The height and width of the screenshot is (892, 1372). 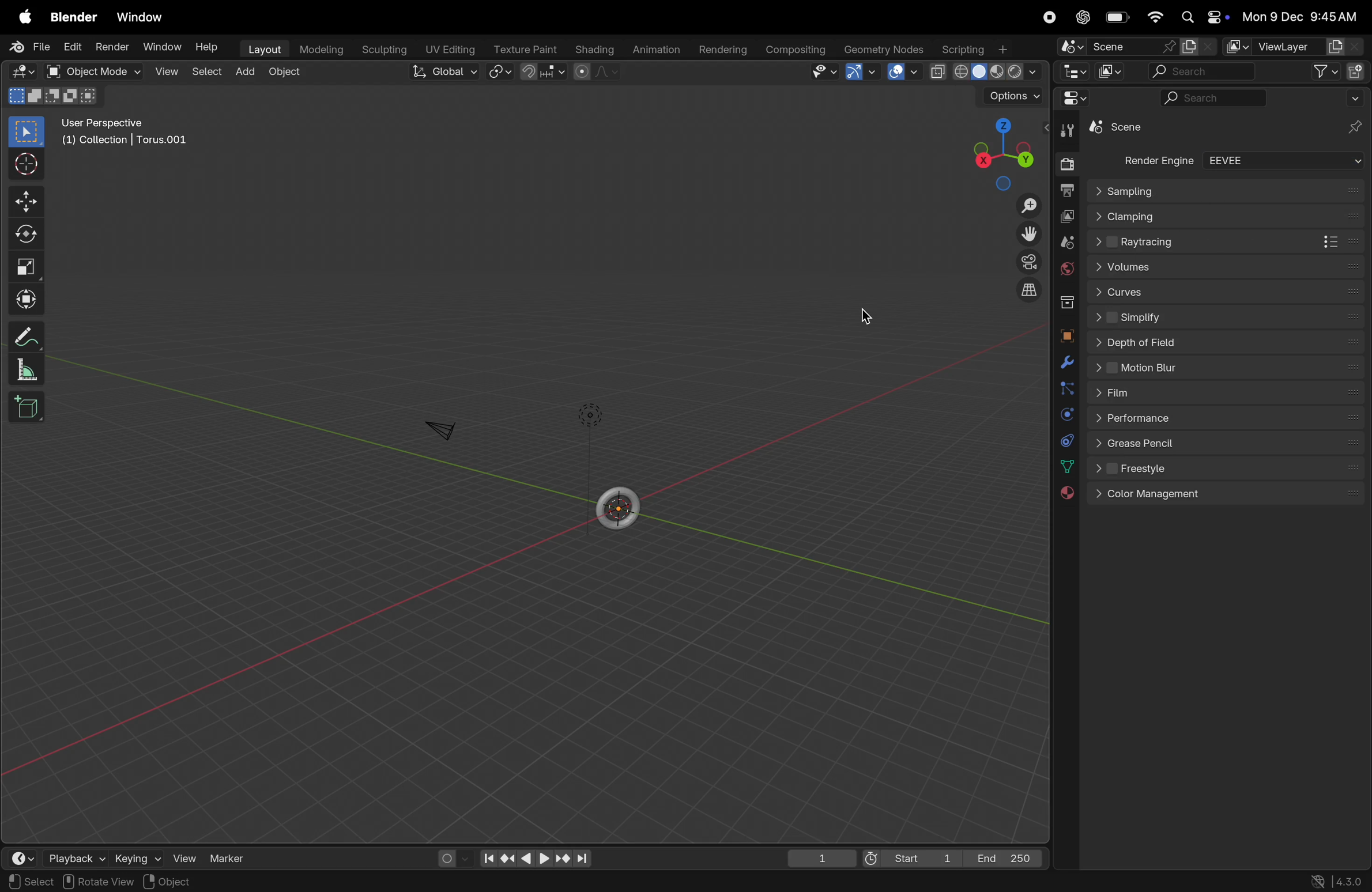 I want to click on frees tyle, so click(x=1227, y=470).